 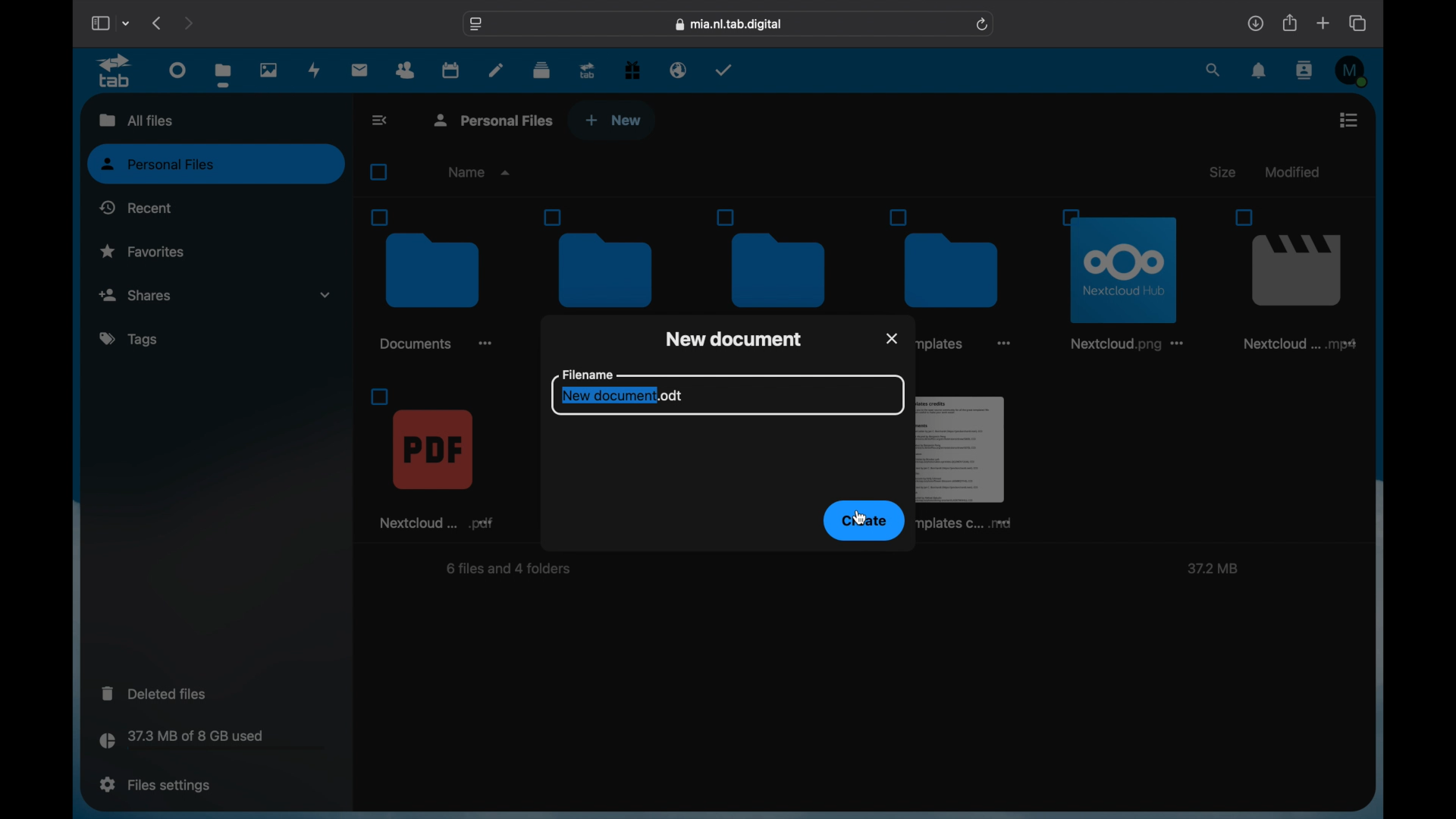 I want to click on notifications, so click(x=1260, y=71).